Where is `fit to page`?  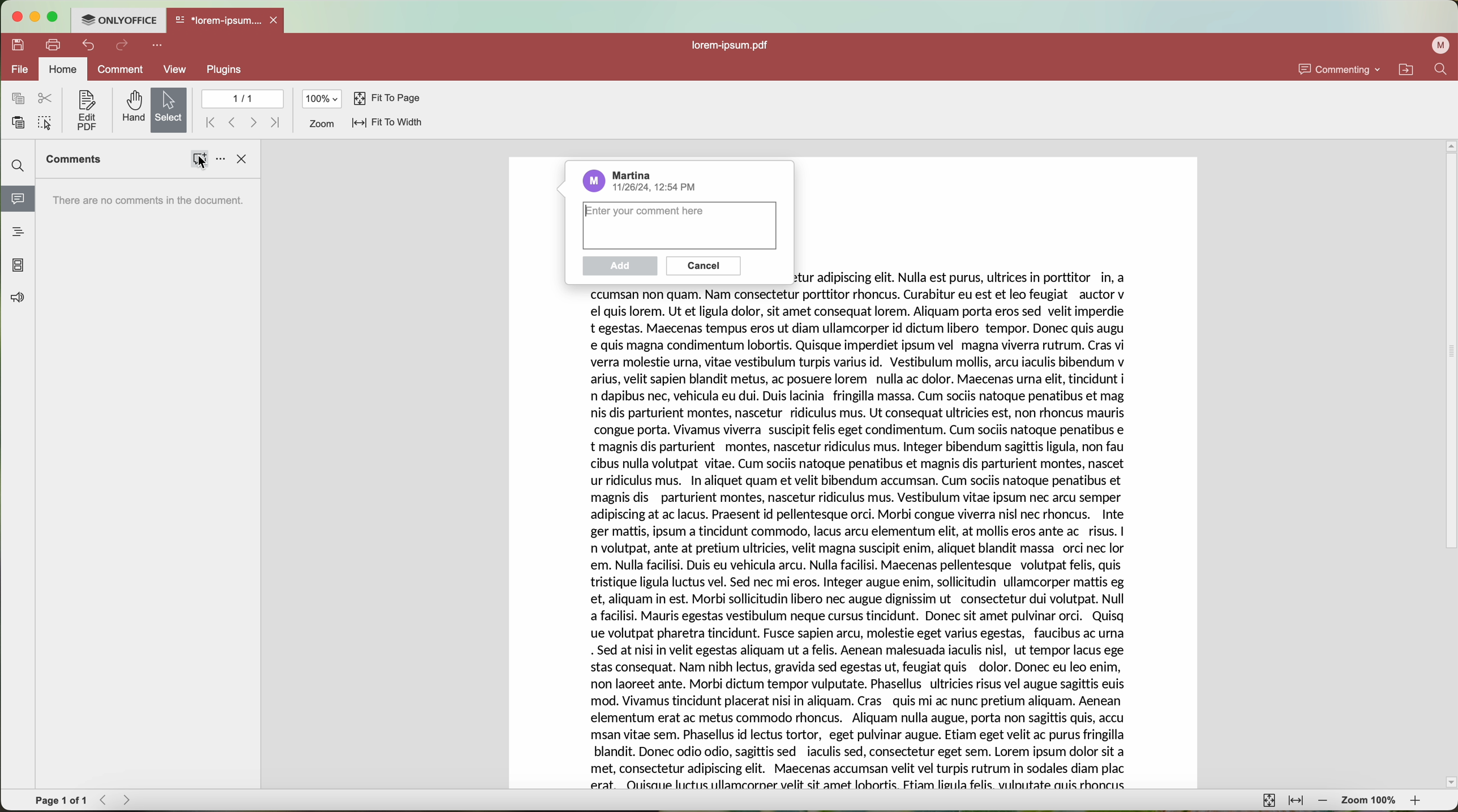 fit to page is located at coordinates (387, 100).